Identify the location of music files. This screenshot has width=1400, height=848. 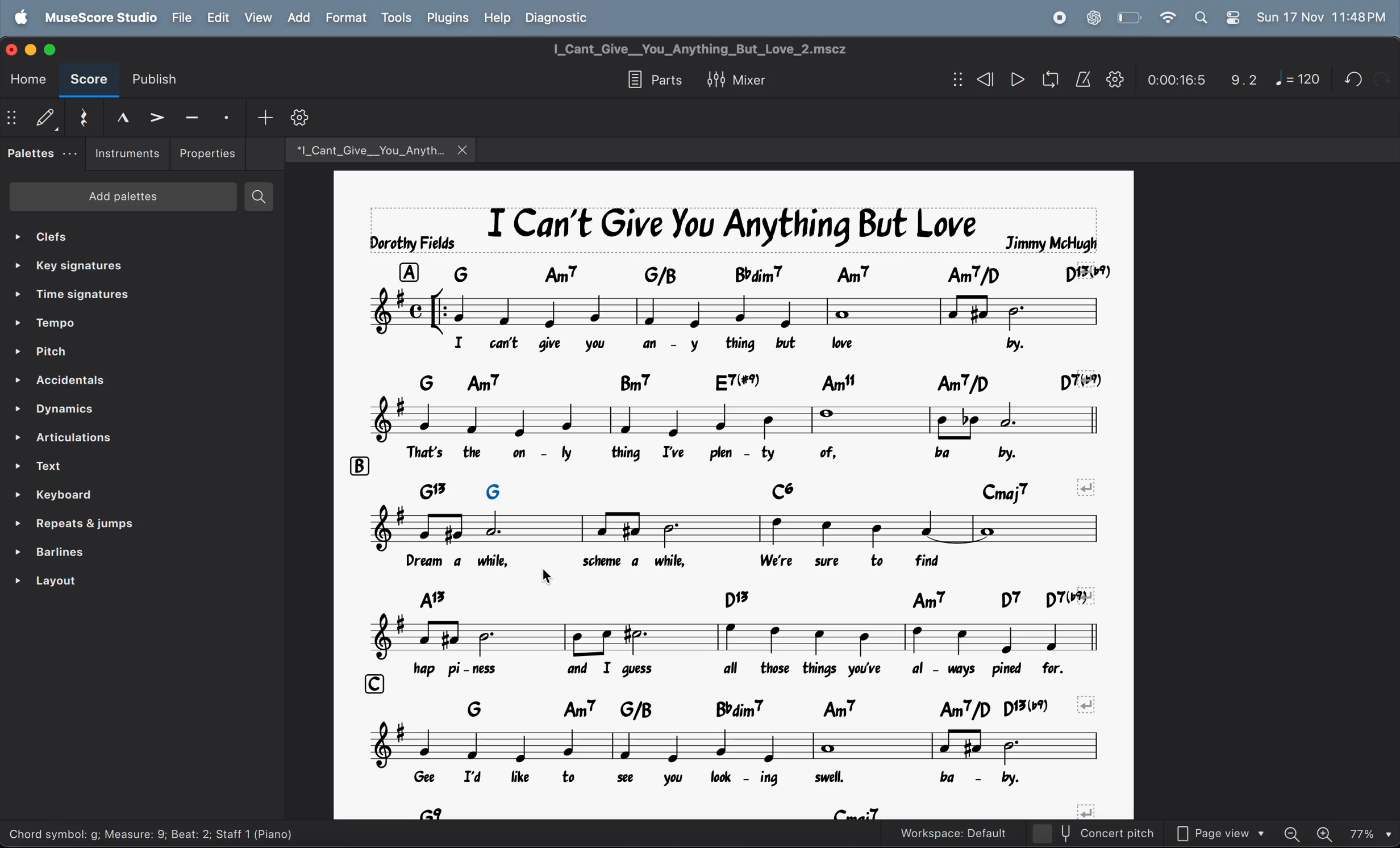
(380, 149).